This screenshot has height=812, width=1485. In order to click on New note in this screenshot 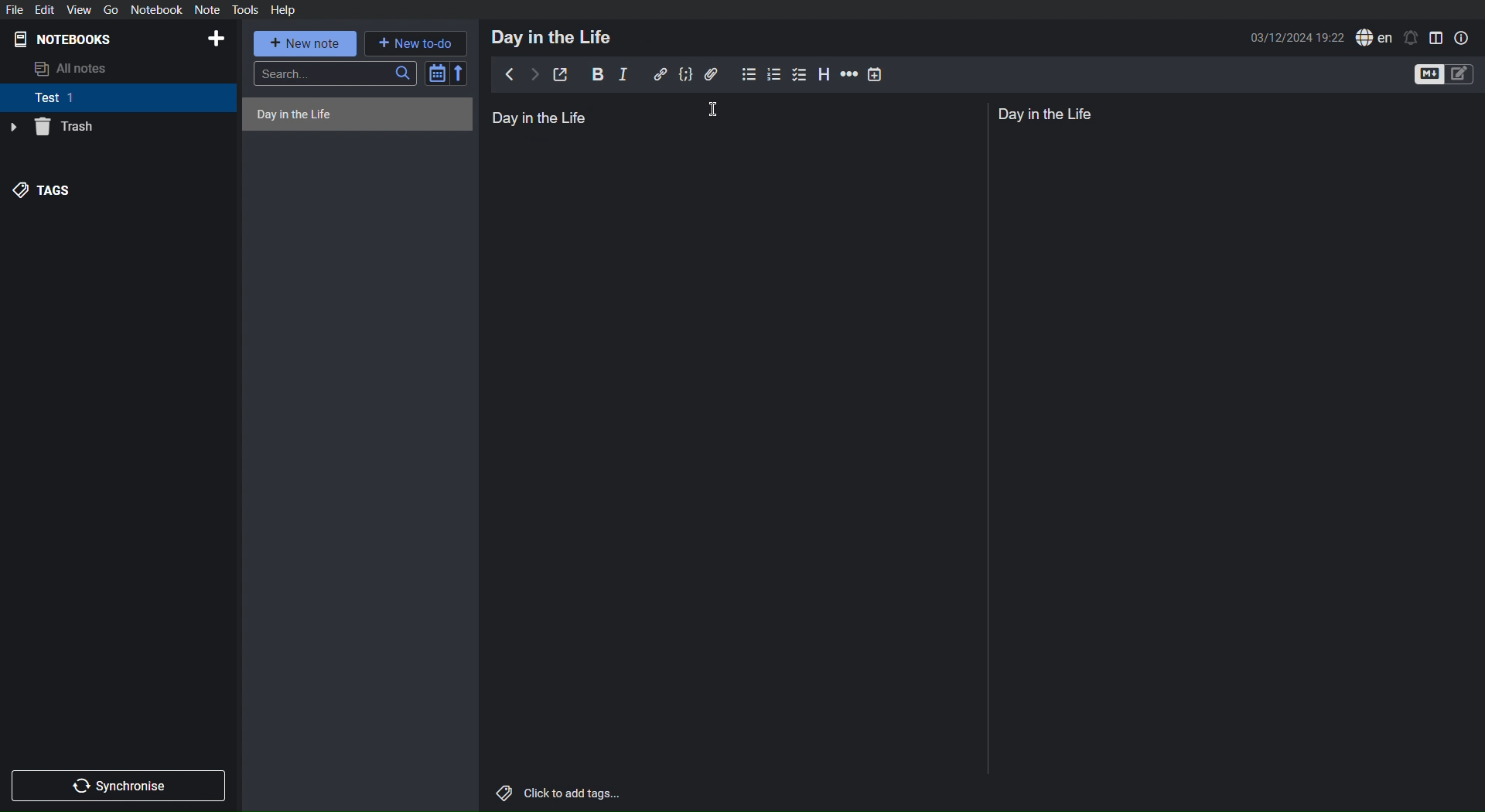, I will do `click(306, 44)`.